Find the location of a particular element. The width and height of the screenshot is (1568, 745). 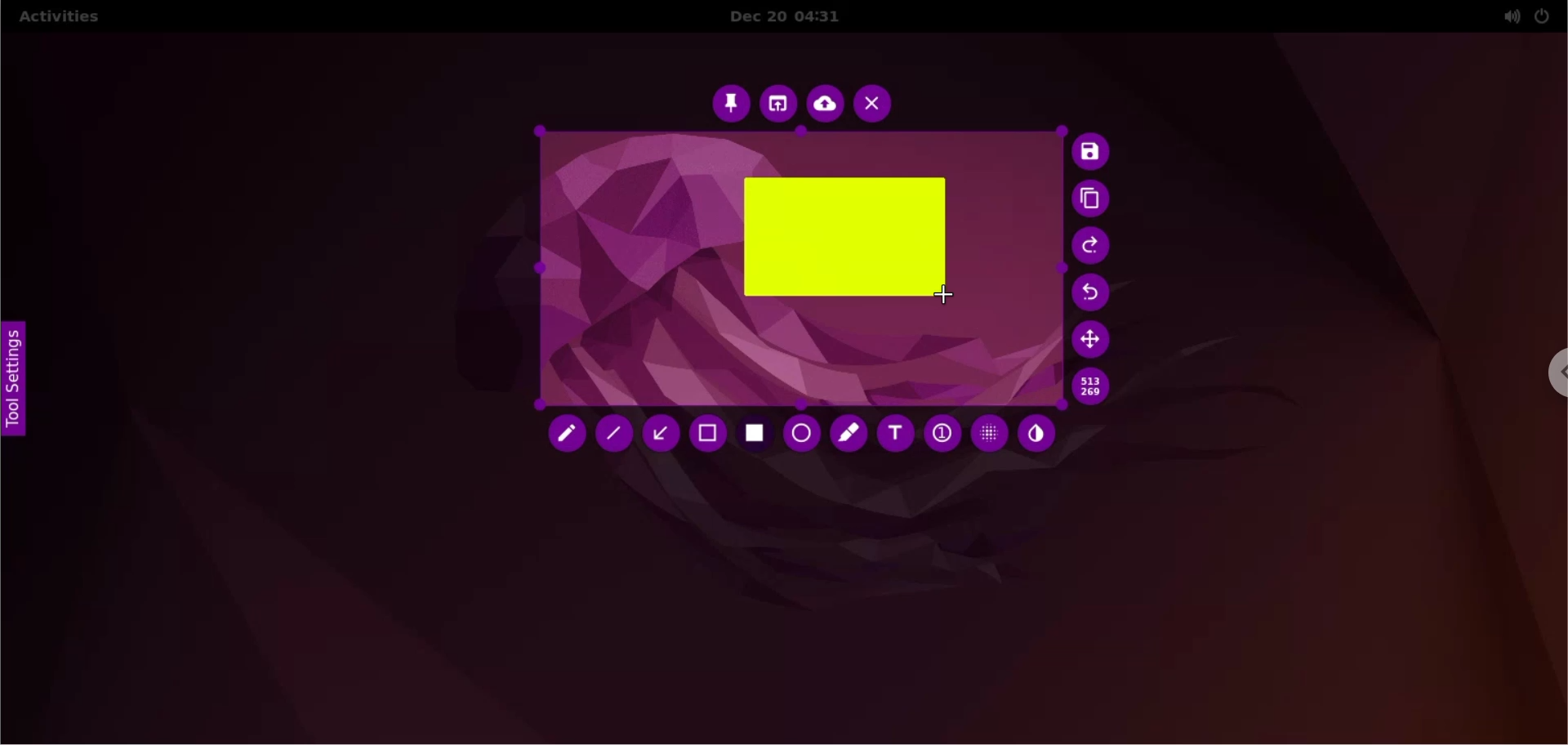

add text is located at coordinates (898, 437).